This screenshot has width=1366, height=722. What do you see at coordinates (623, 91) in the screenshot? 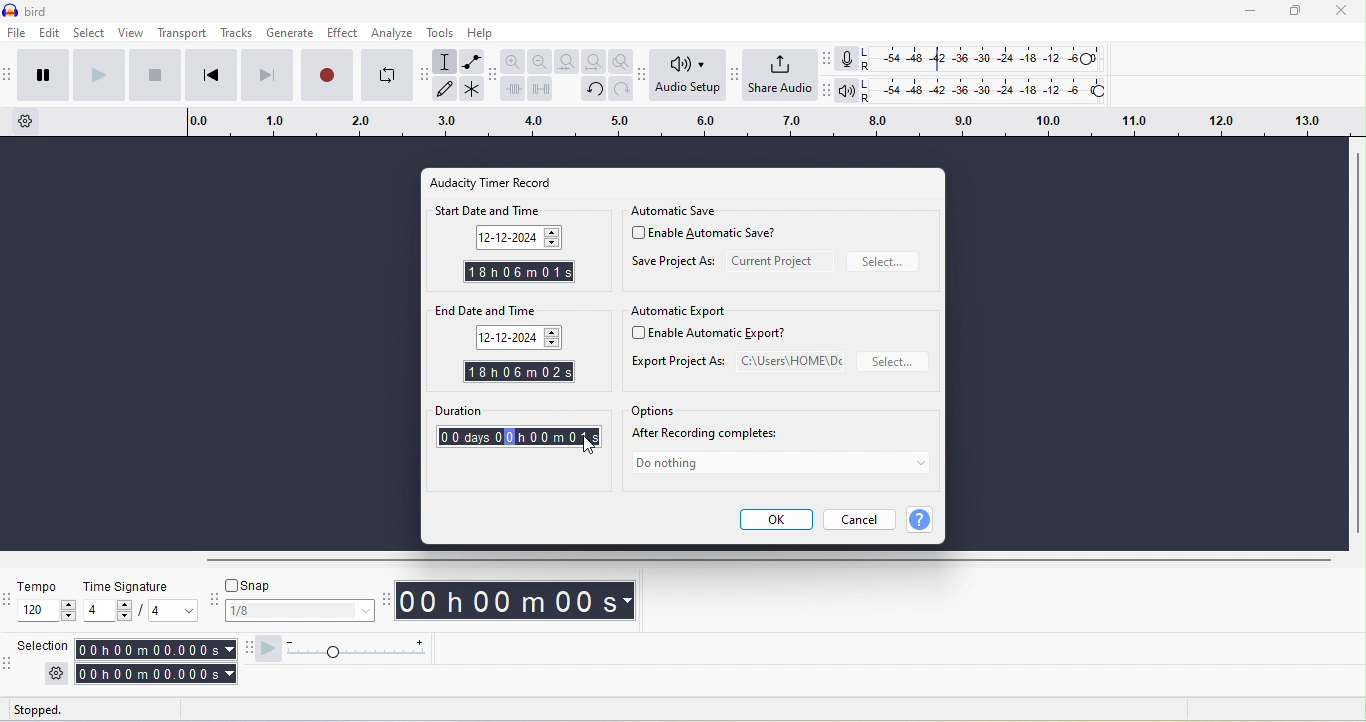
I see `redo` at bounding box center [623, 91].